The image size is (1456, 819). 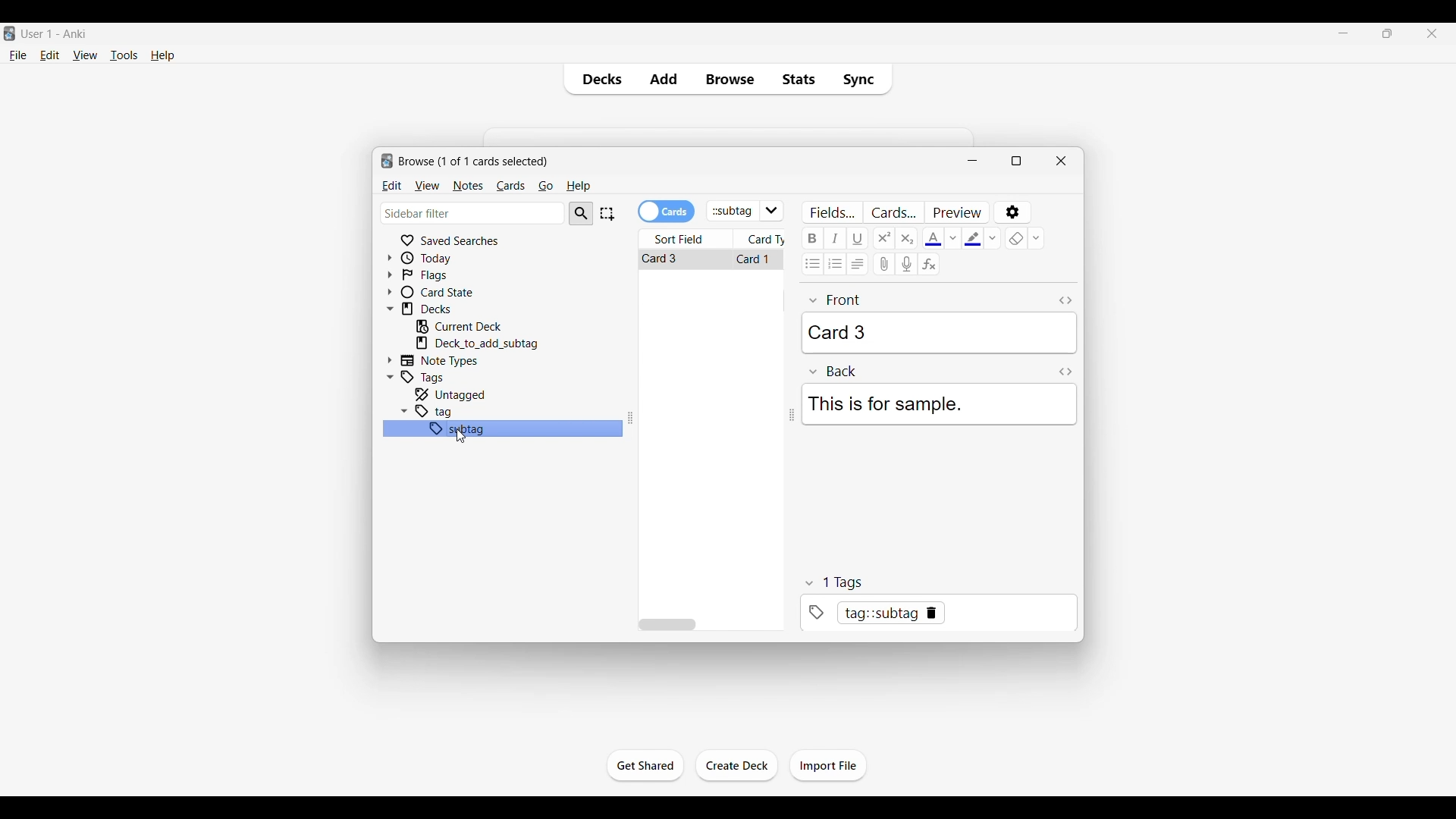 What do you see at coordinates (933, 239) in the screenshot?
I see `Selected text color` at bounding box center [933, 239].